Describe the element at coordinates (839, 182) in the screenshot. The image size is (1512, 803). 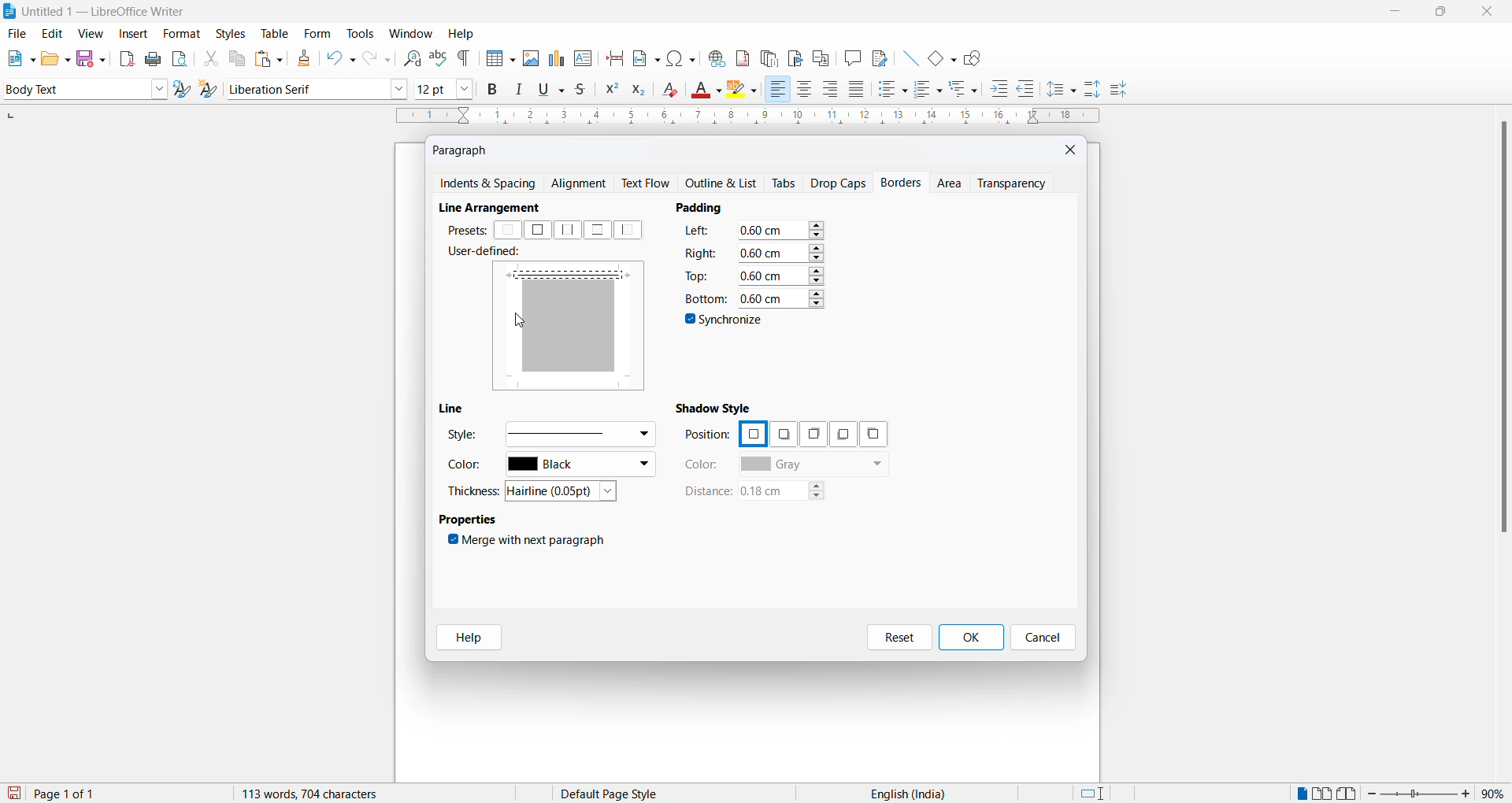
I see `drop caps` at that location.